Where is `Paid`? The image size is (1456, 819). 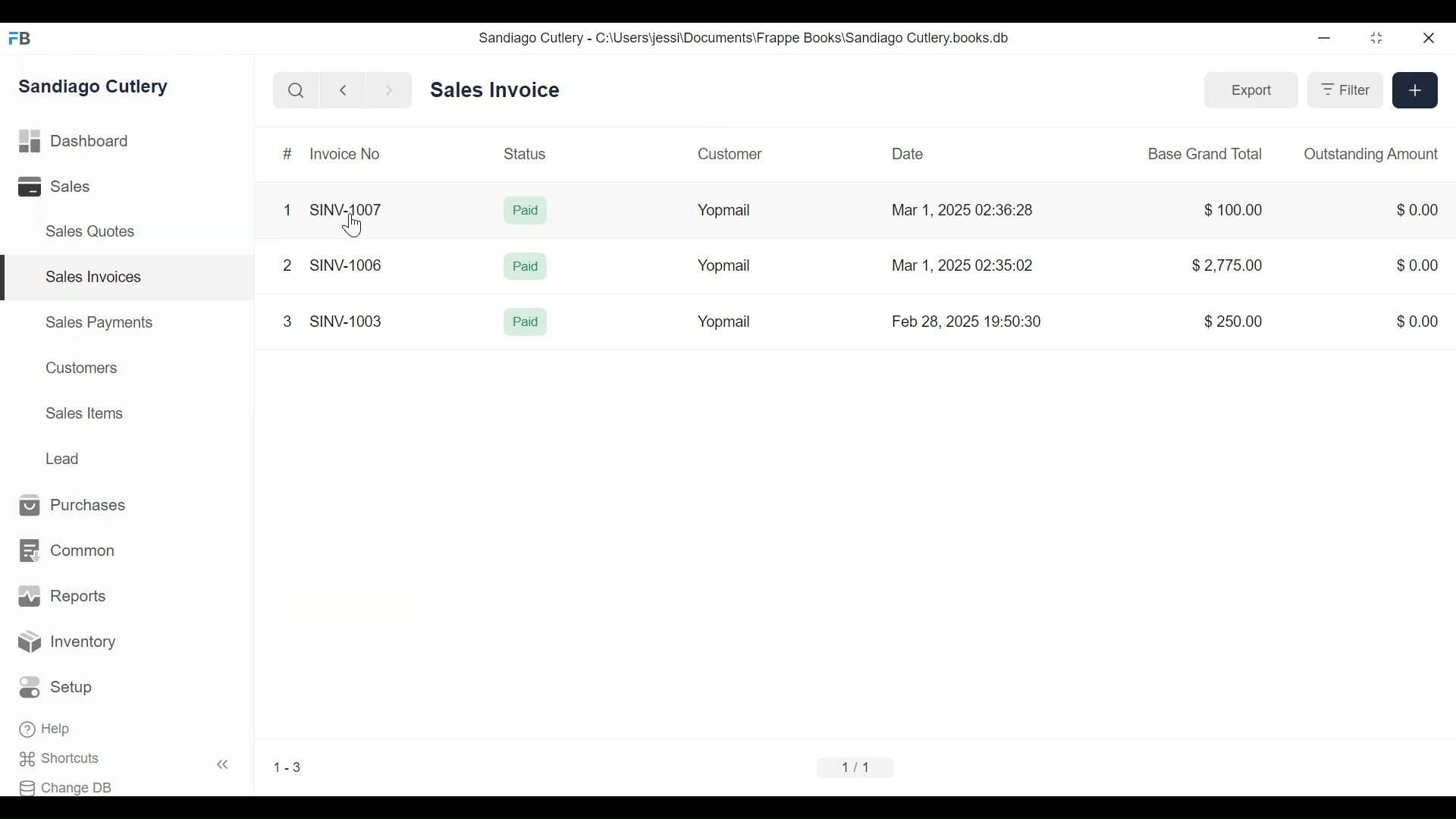
Paid is located at coordinates (526, 209).